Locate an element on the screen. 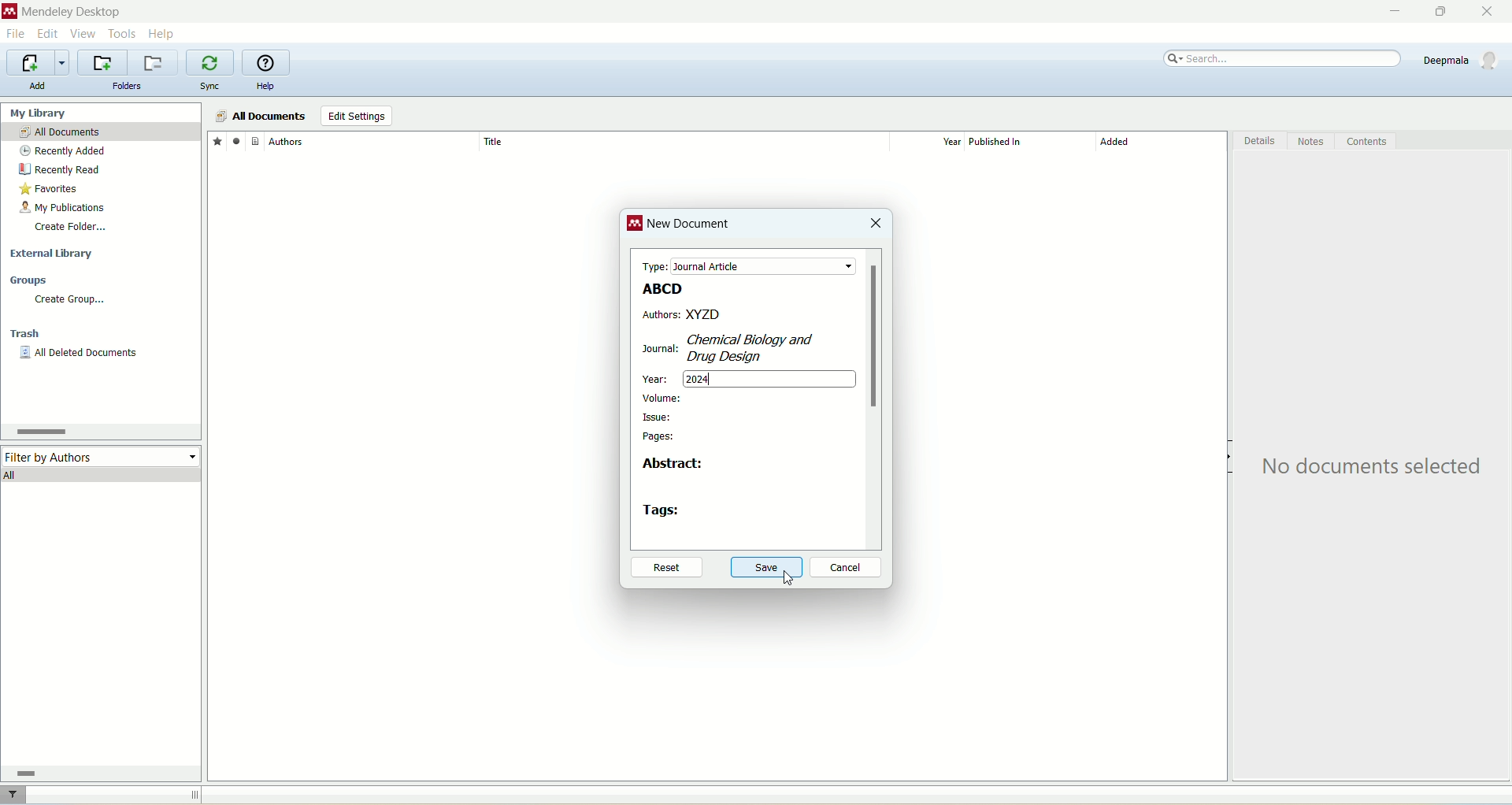 The image size is (1512, 805). online help guide for mendeley is located at coordinates (267, 63).